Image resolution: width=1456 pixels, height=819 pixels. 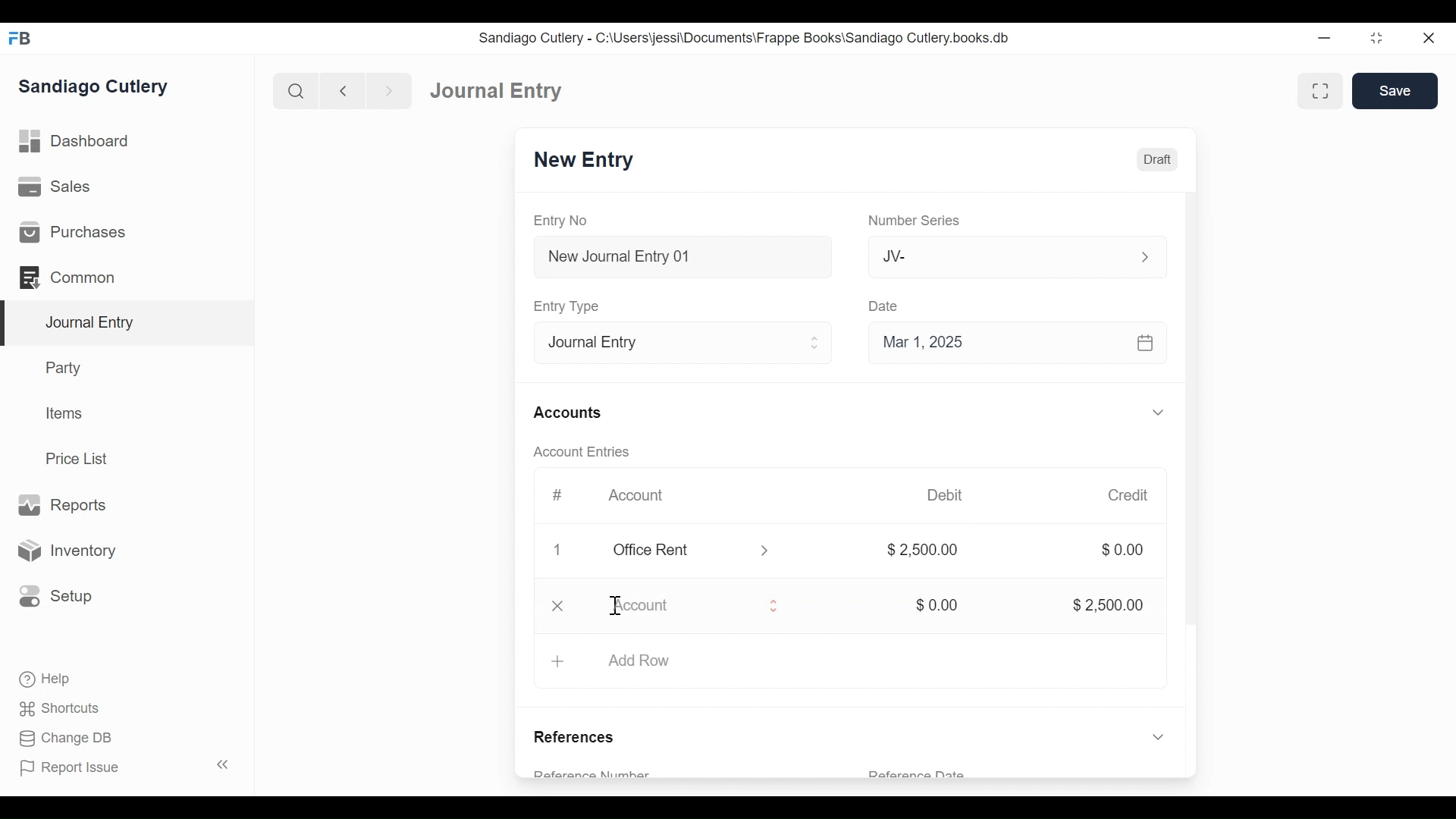 I want to click on Sandiago Cutlery - C:\Users\jessi\Documents\Frappe Books\Sandiago Cutlery.books.db, so click(x=748, y=37).